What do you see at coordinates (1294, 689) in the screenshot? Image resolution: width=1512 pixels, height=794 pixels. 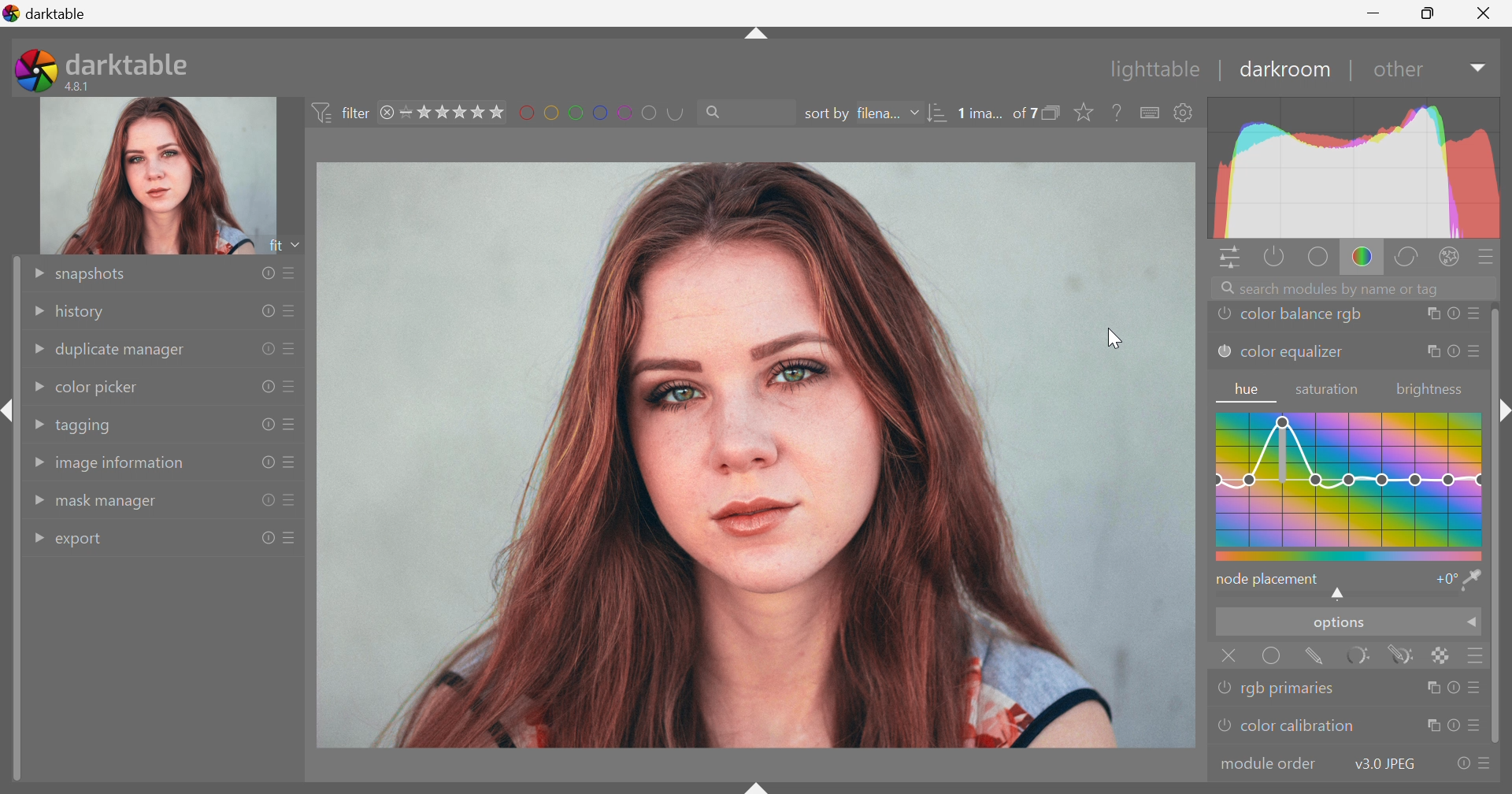 I see `rgb primaries` at bounding box center [1294, 689].